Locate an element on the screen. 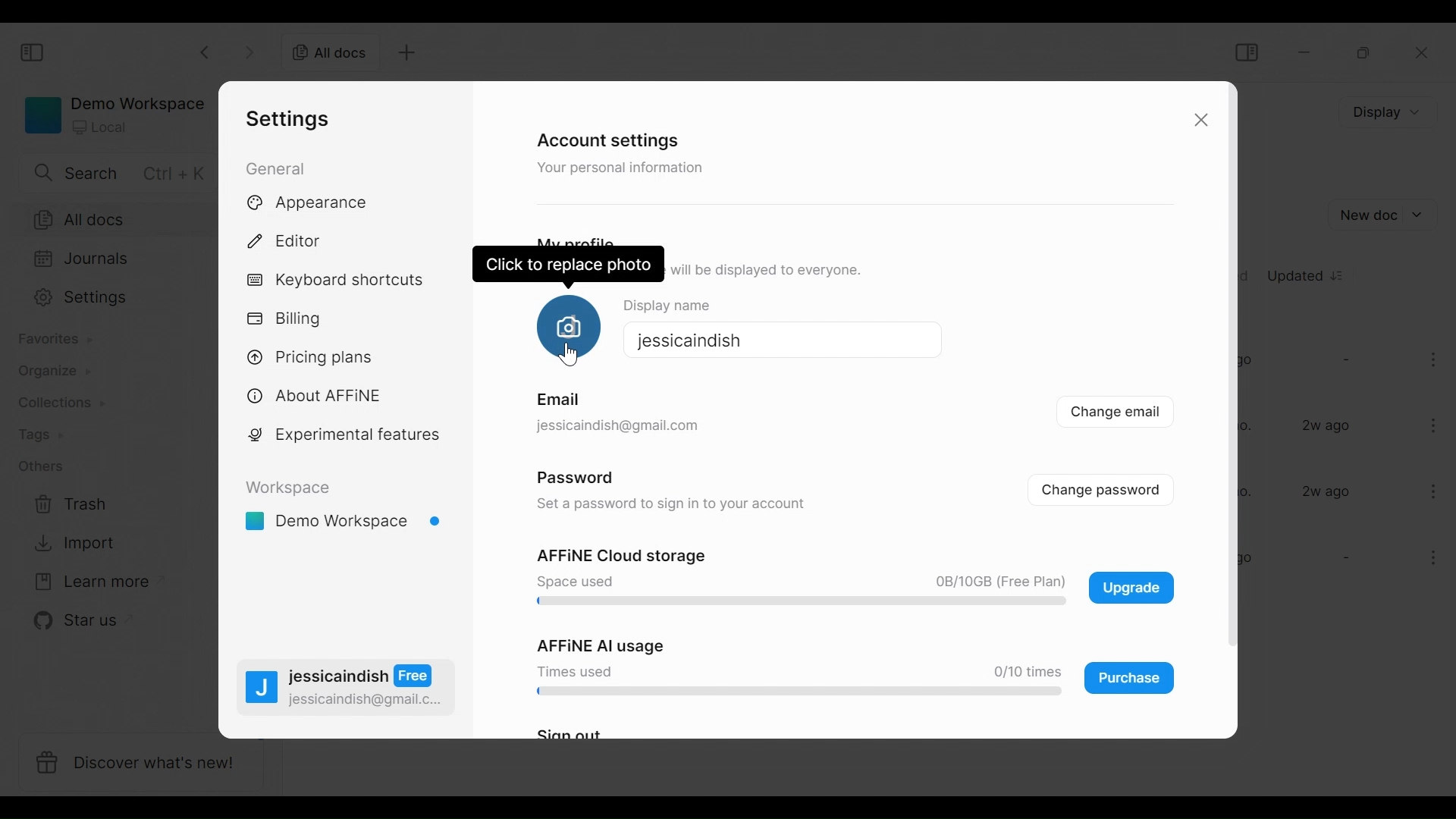 This screenshot has height=819, width=1456. Add New document is located at coordinates (1385, 215).